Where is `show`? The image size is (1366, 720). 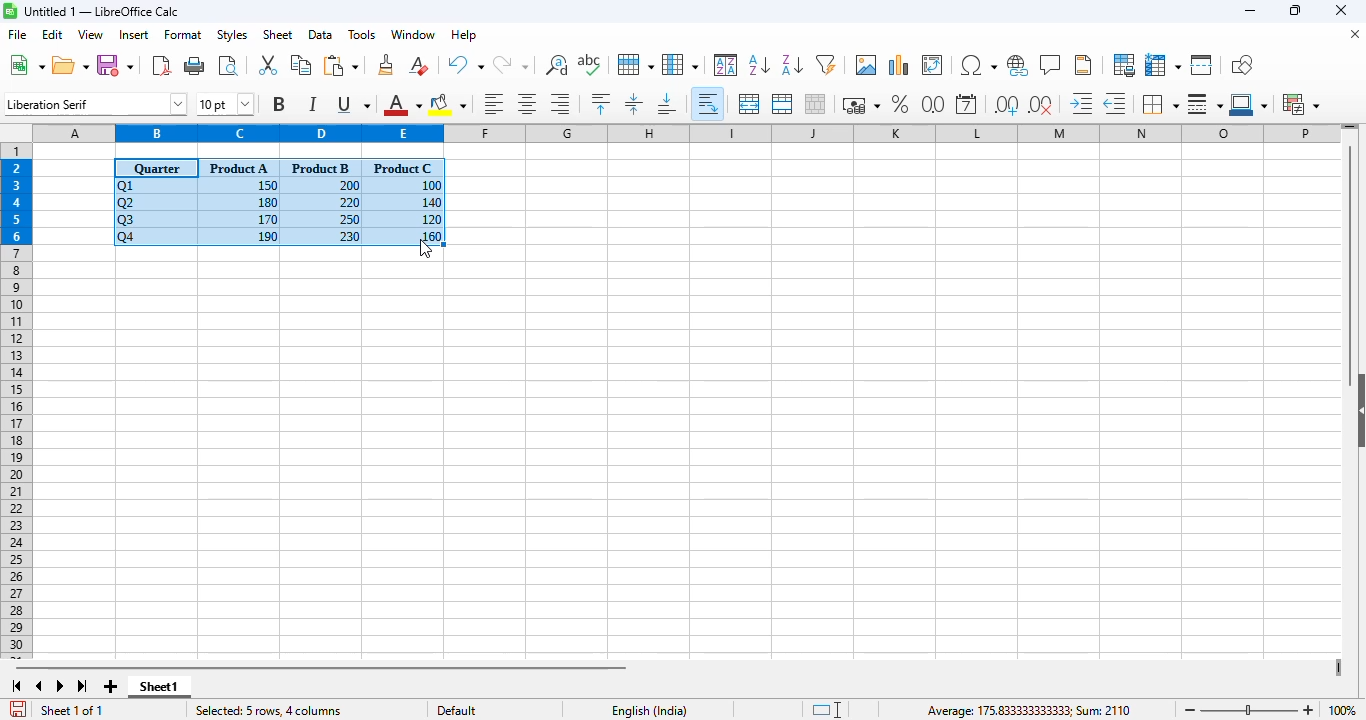
show is located at coordinates (1357, 410).